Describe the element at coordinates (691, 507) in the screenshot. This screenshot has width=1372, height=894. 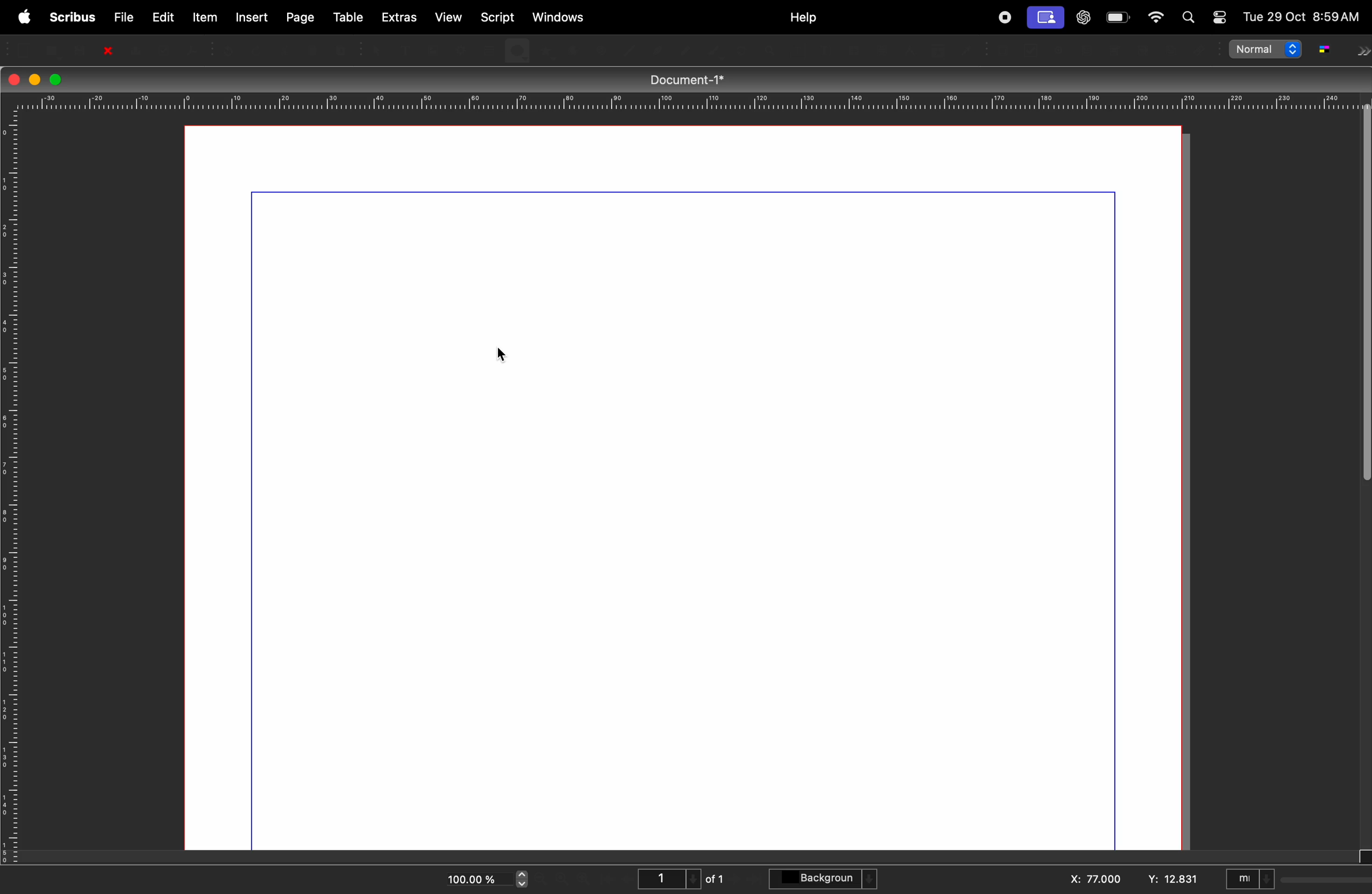
I see `document` at that location.